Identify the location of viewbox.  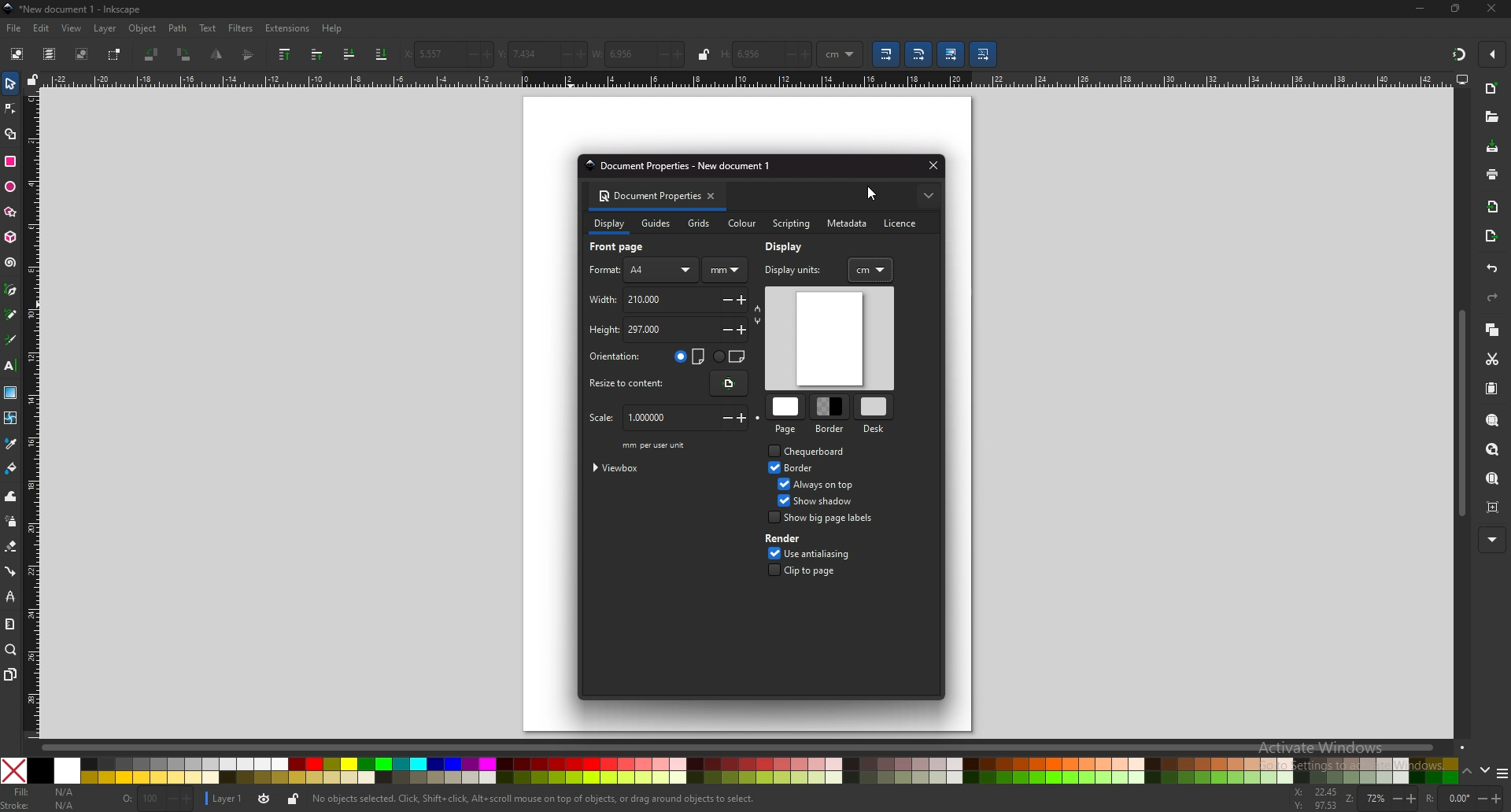
(622, 467).